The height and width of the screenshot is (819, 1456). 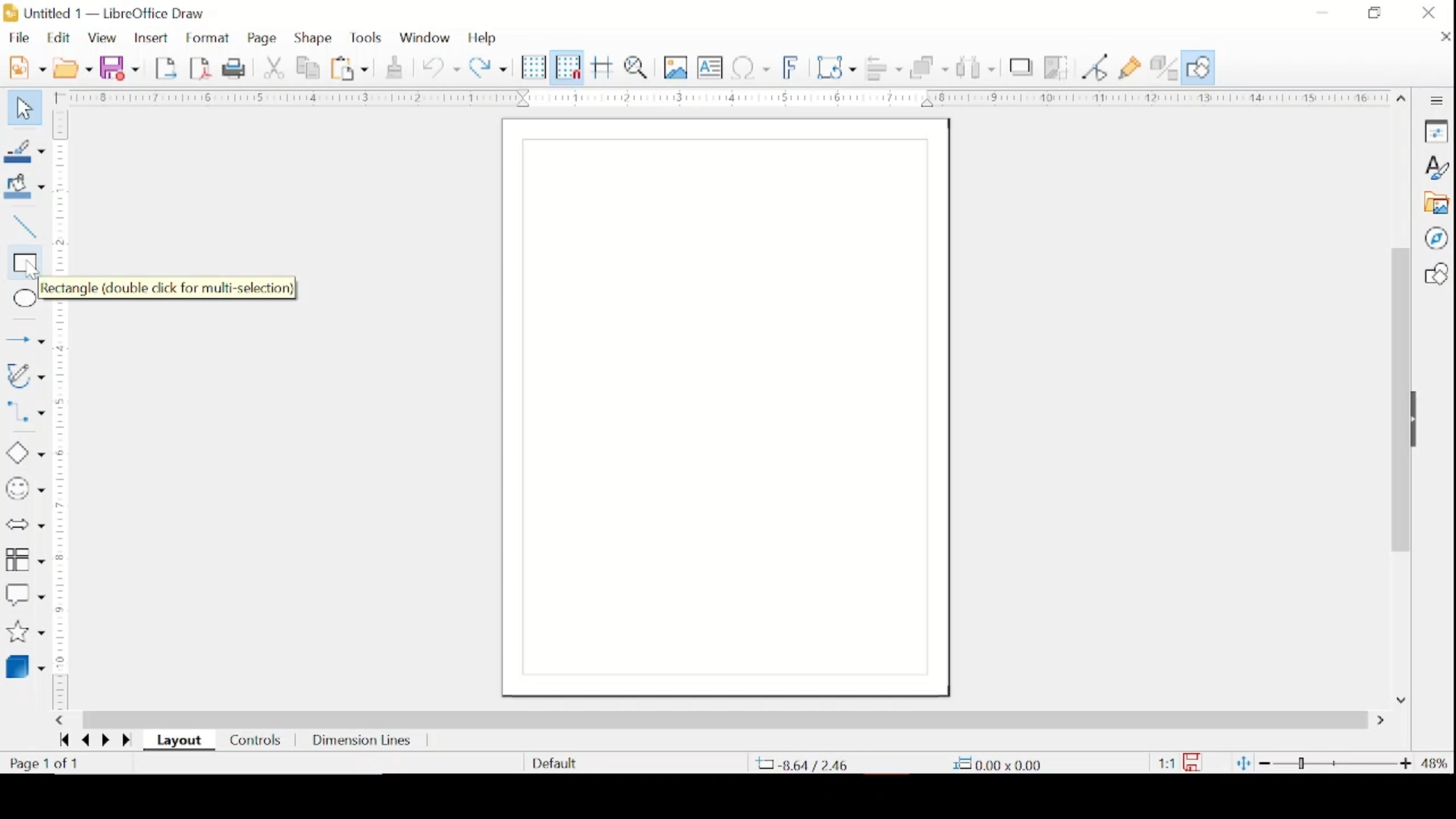 What do you see at coordinates (1436, 238) in the screenshot?
I see `navigator` at bounding box center [1436, 238].